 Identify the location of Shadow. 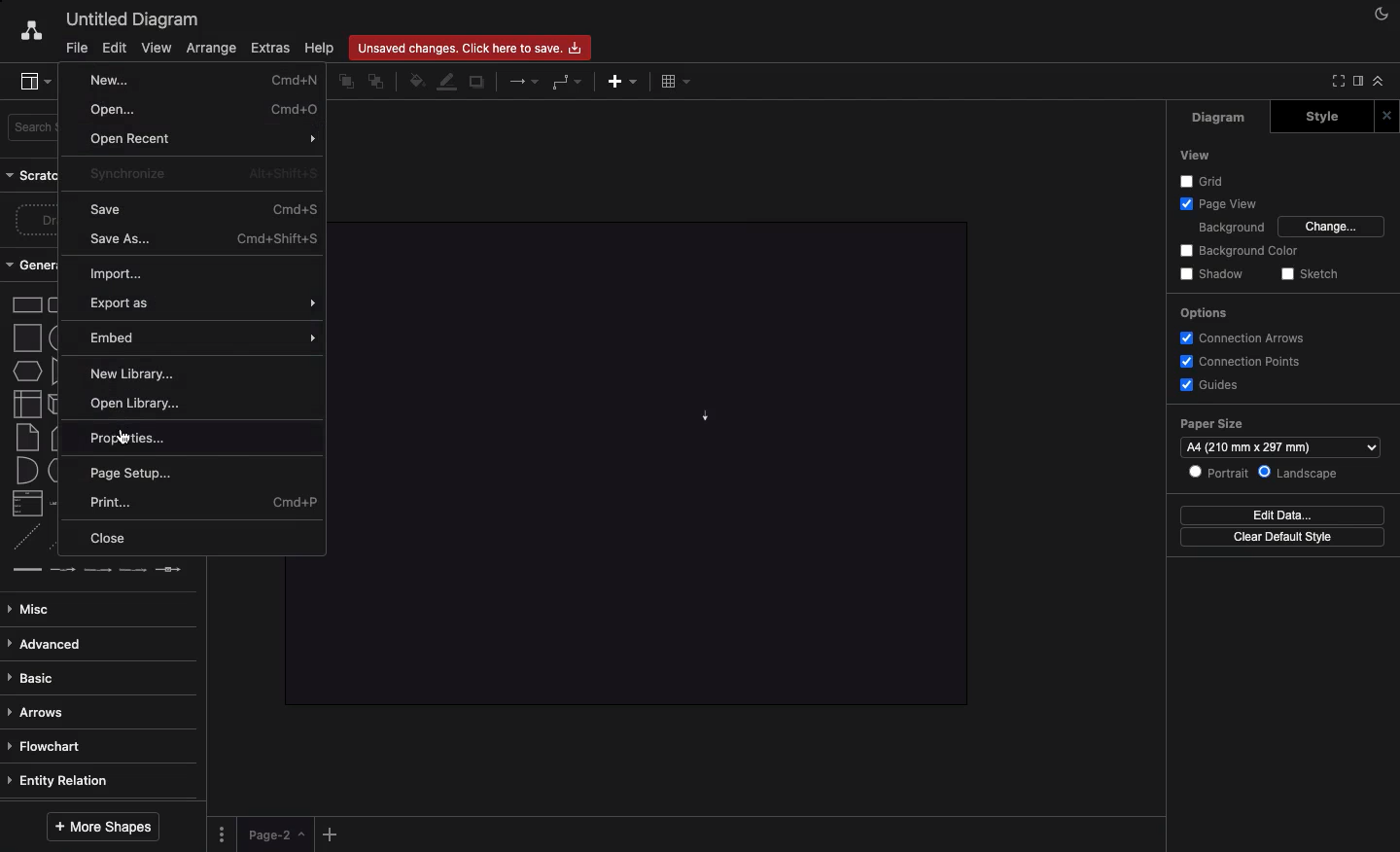
(1211, 275).